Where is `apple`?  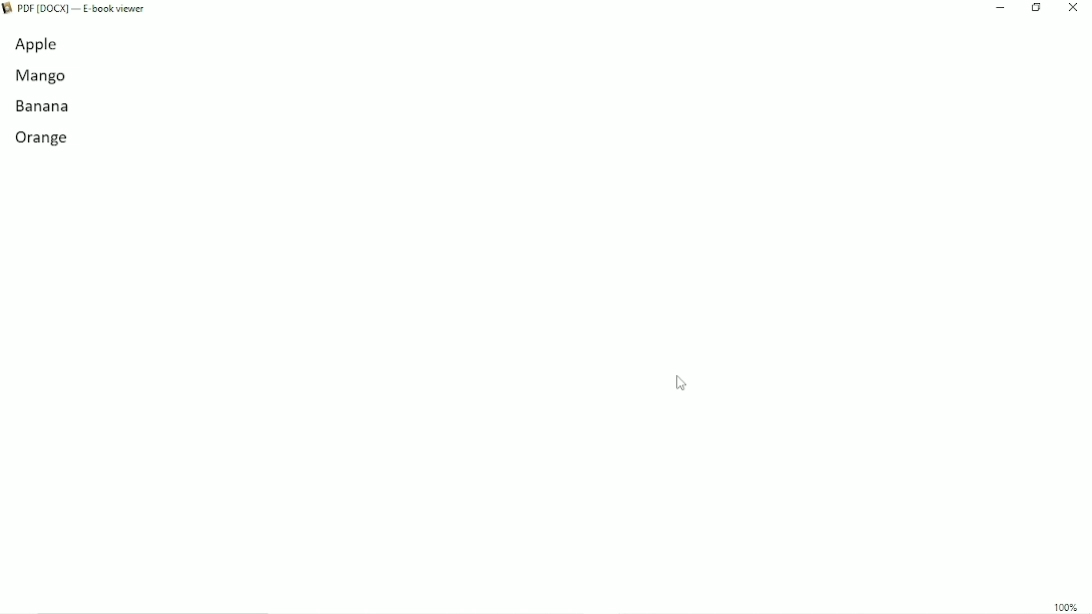 apple is located at coordinates (37, 45).